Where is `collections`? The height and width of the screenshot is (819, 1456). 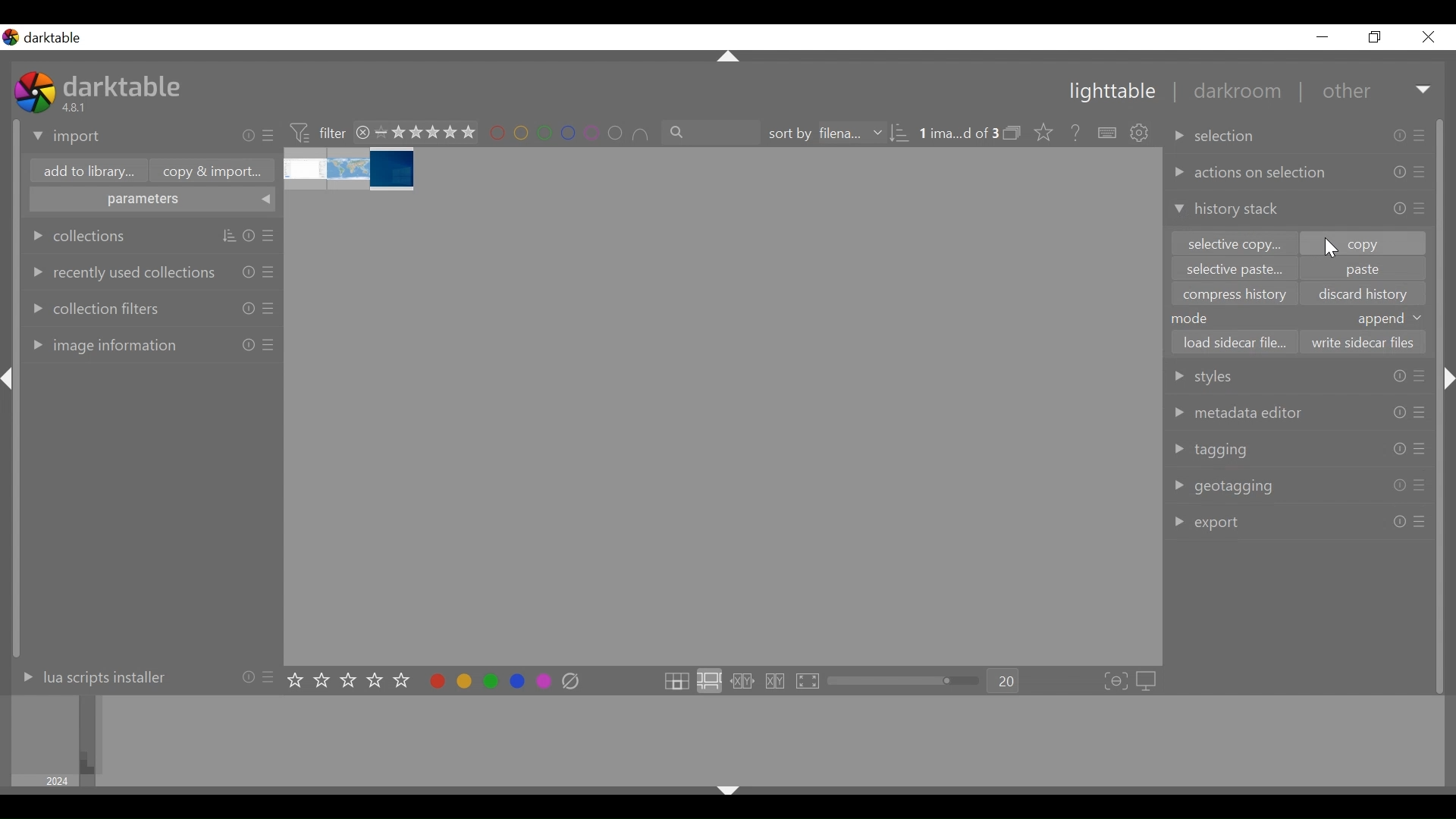
collections is located at coordinates (80, 236).